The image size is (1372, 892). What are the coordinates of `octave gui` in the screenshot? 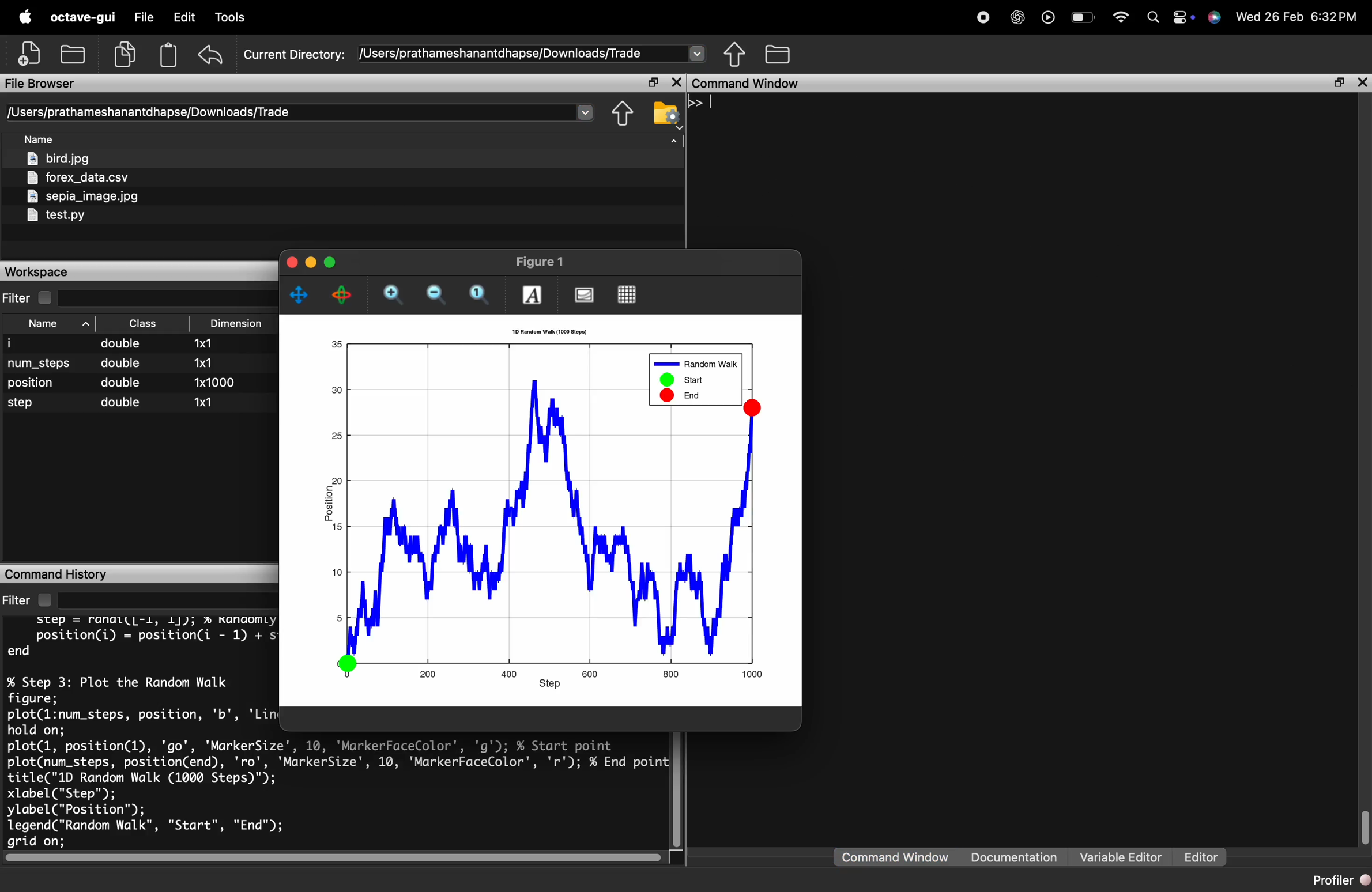 It's located at (82, 17).